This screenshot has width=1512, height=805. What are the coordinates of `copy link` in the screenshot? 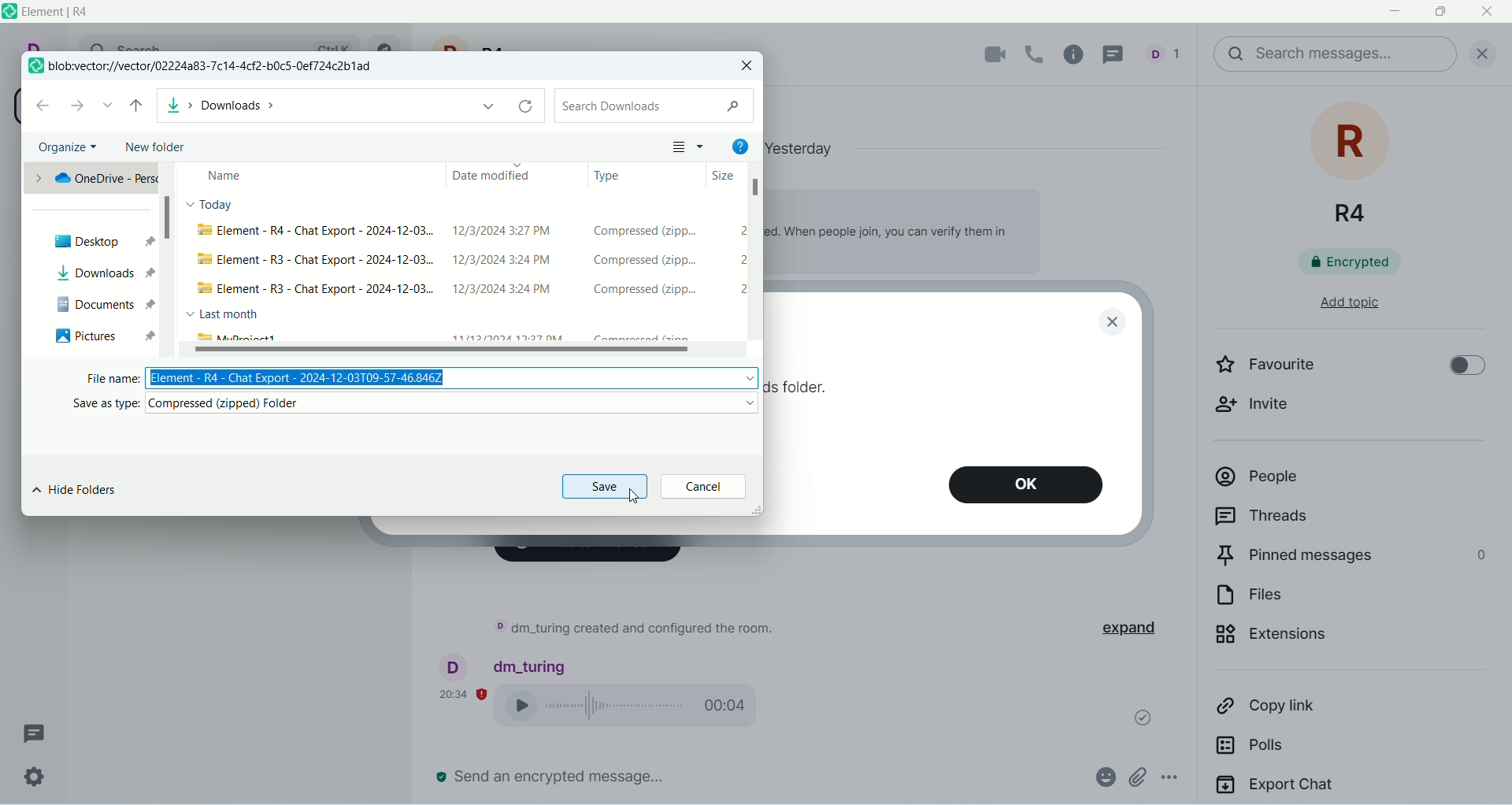 It's located at (1315, 711).